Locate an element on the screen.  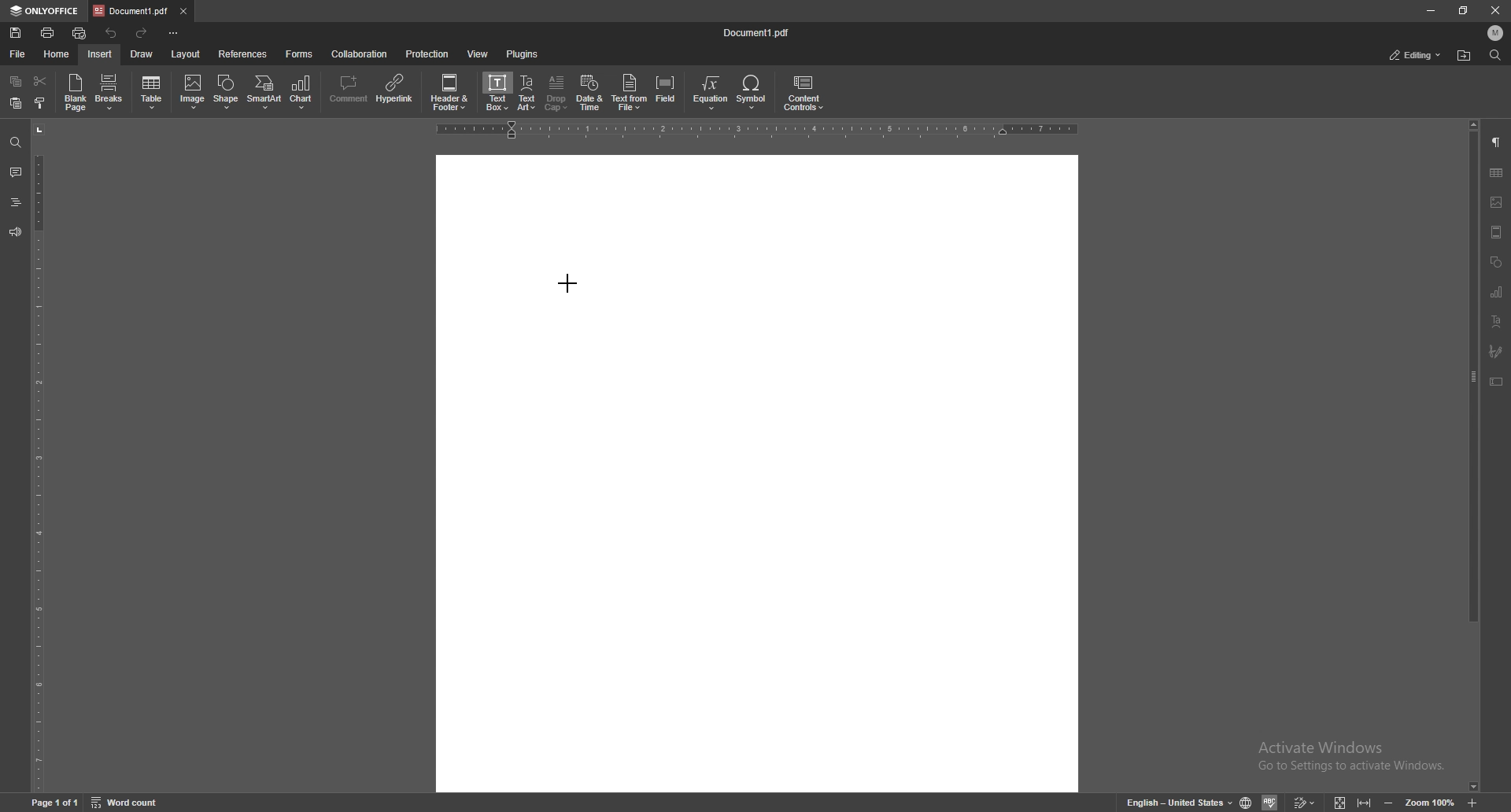
shapes is located at coordinates (1496, 262).